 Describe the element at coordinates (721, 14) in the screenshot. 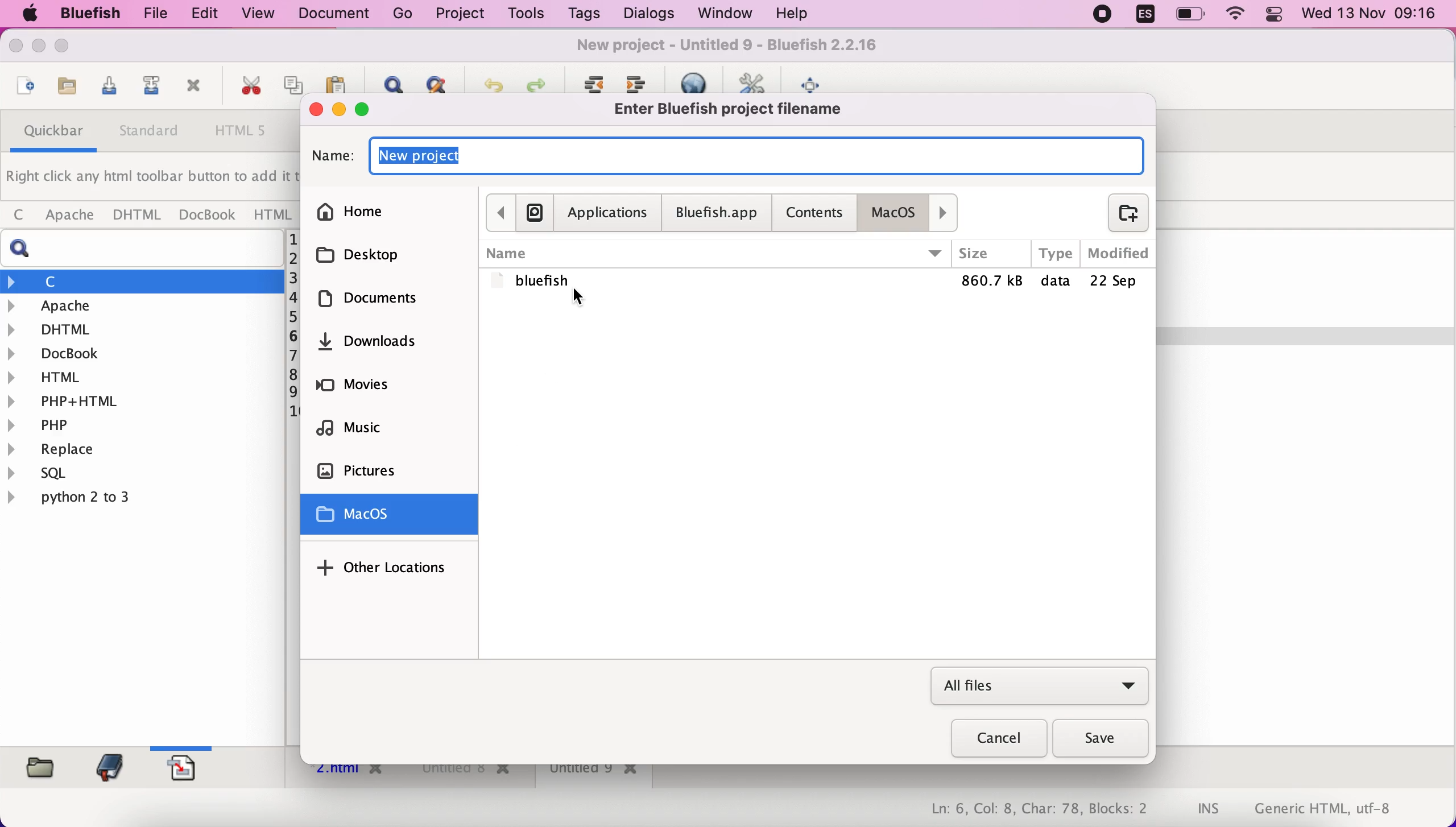

I see `window` at that location.